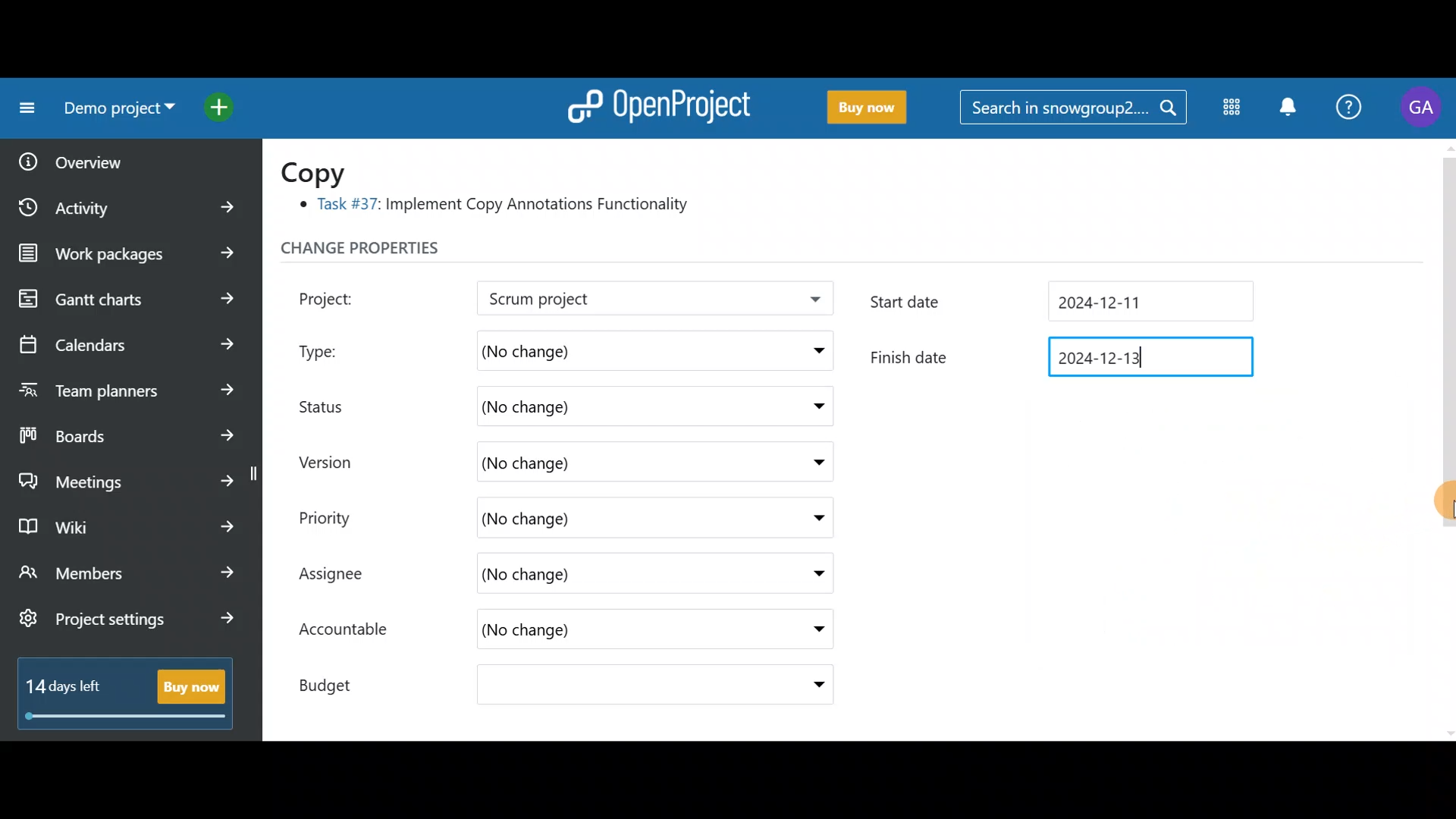 The height and width of the screenshot is (819, 1456). I want to click on Scrum project, so click(610, 300).